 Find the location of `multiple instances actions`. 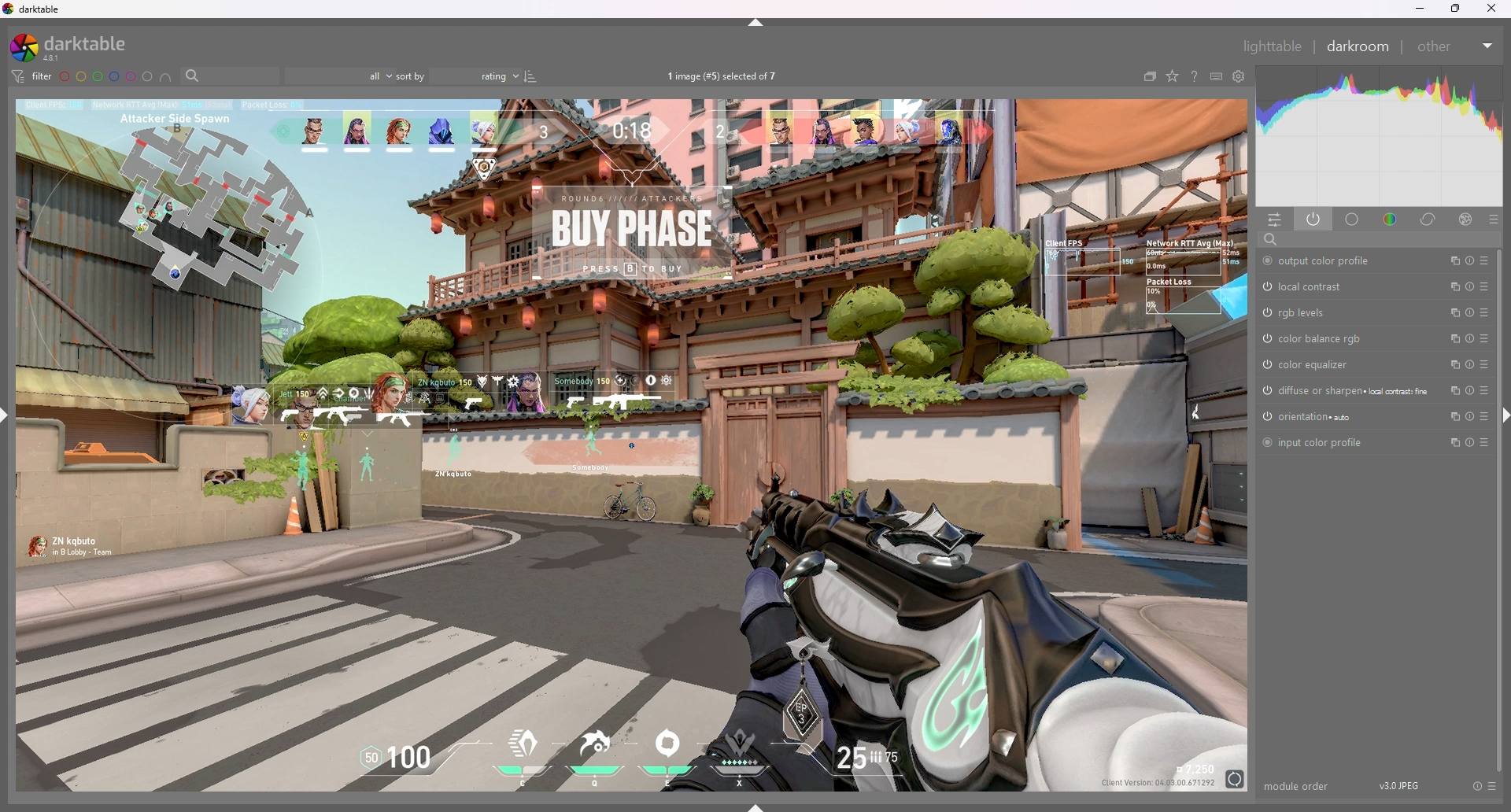

multiple instances actions is located at coordinates (1450, 286).